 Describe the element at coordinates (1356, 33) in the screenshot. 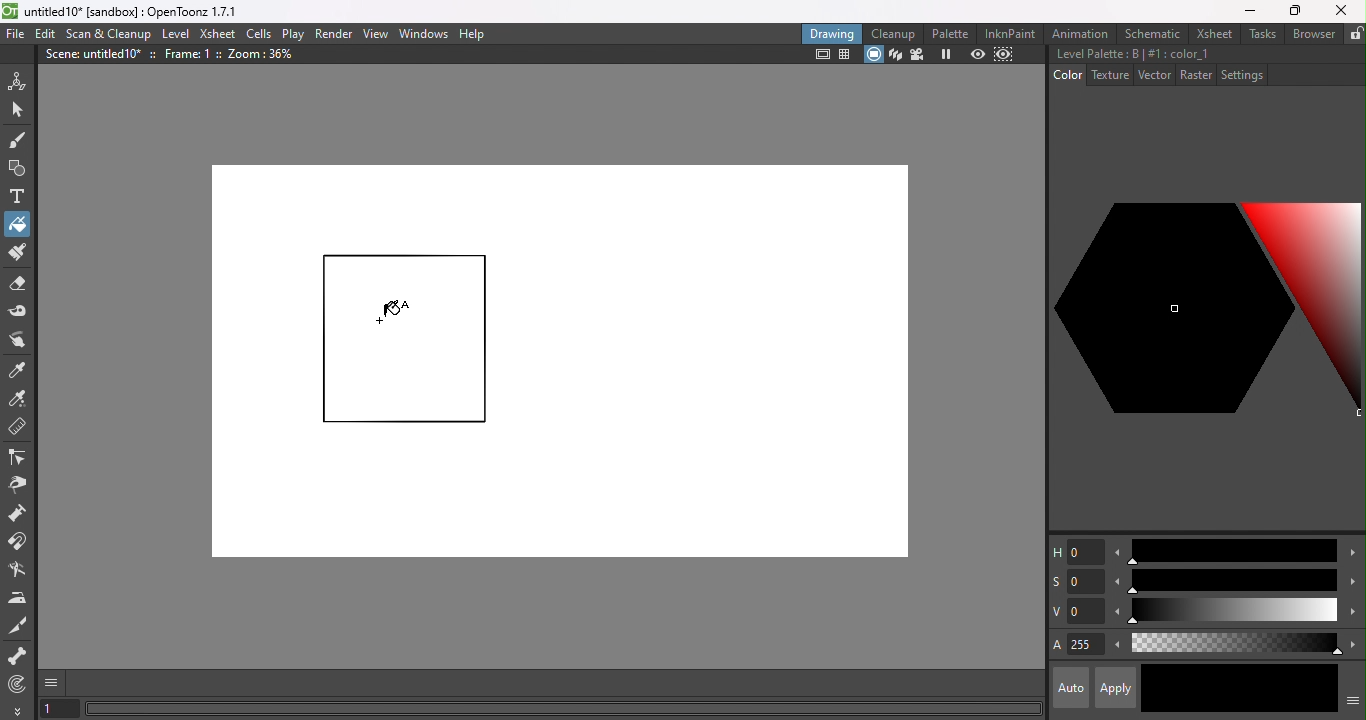

I see `Lock rooms tab` at that location.